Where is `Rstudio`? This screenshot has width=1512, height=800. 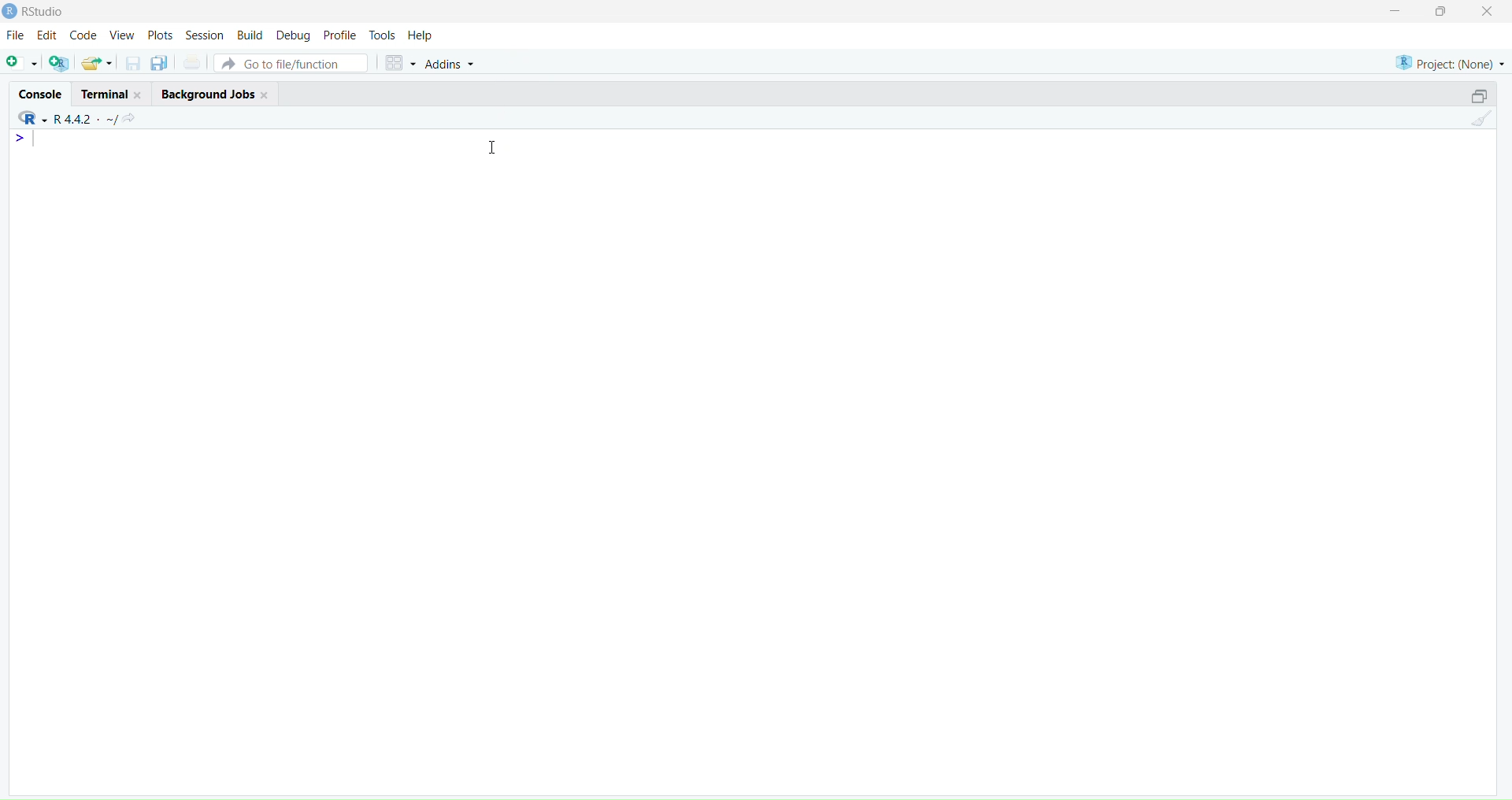 Rstudio is located at coordinates (36, 12).